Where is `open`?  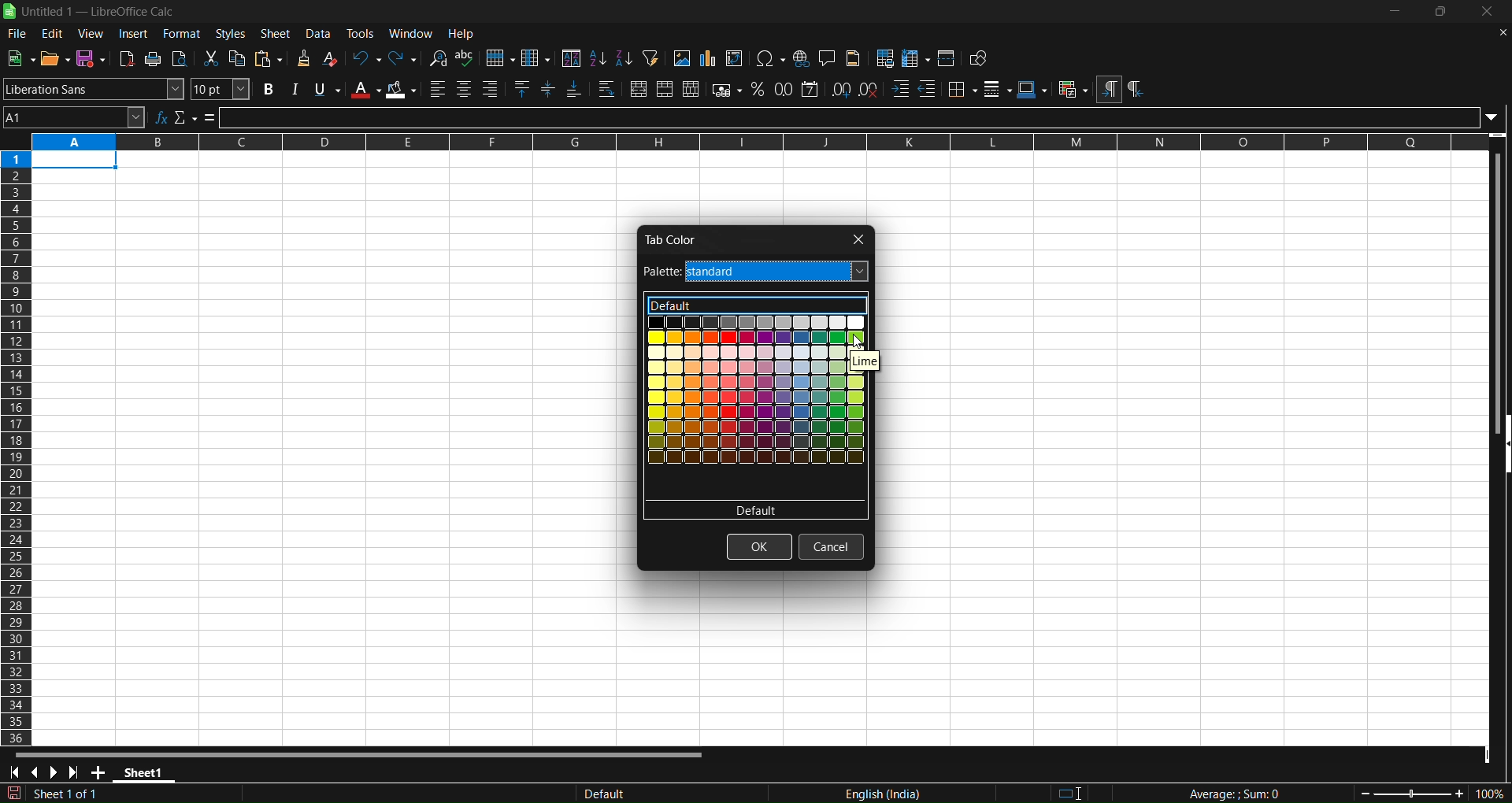
open is located at coordinates (54, 57).